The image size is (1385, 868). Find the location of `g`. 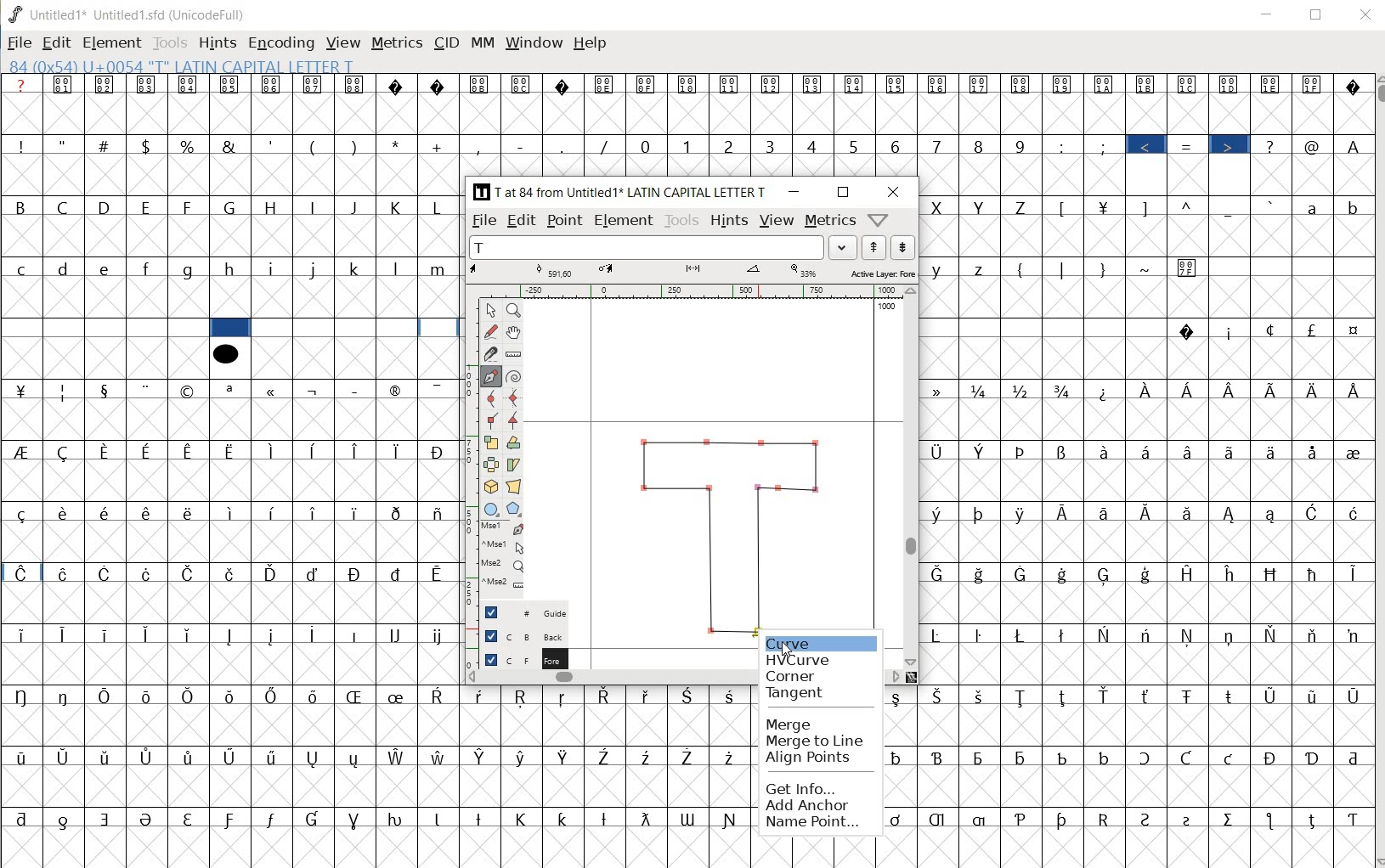

g is located at coordinates (189, 270).